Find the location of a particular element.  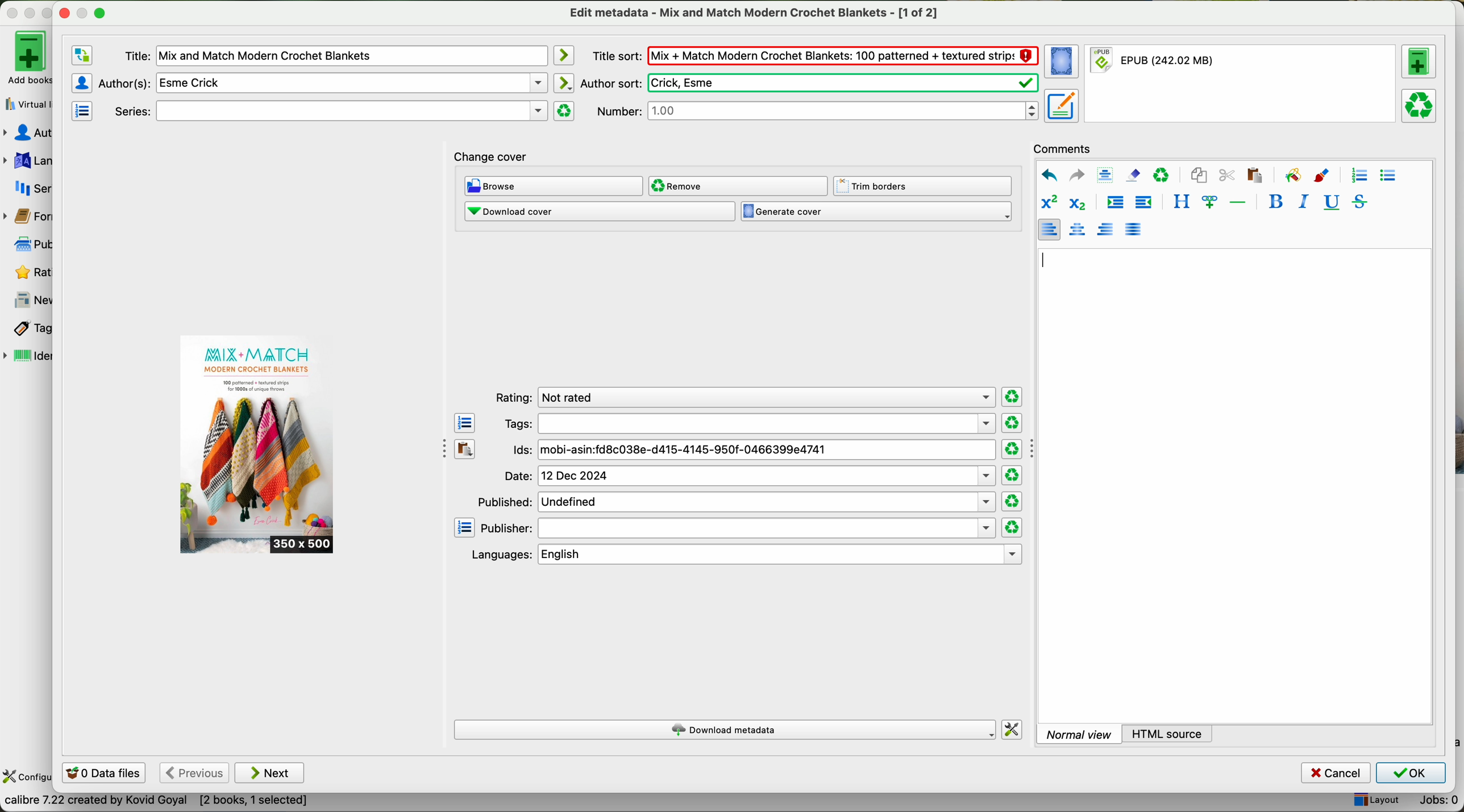

align right is located at coordinates (1106, 228).